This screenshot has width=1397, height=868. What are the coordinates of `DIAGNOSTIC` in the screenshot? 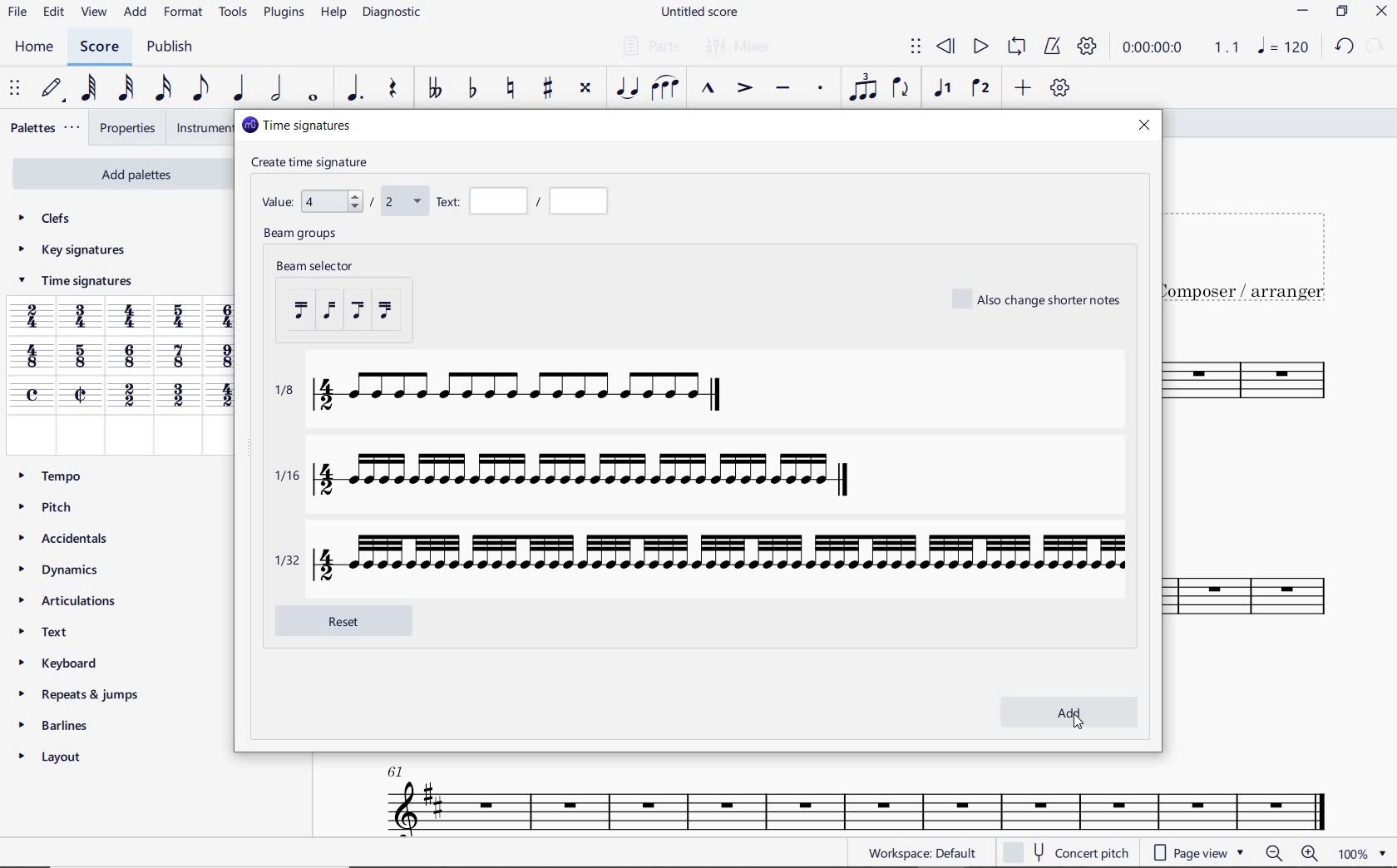 It's located at (392, 13).